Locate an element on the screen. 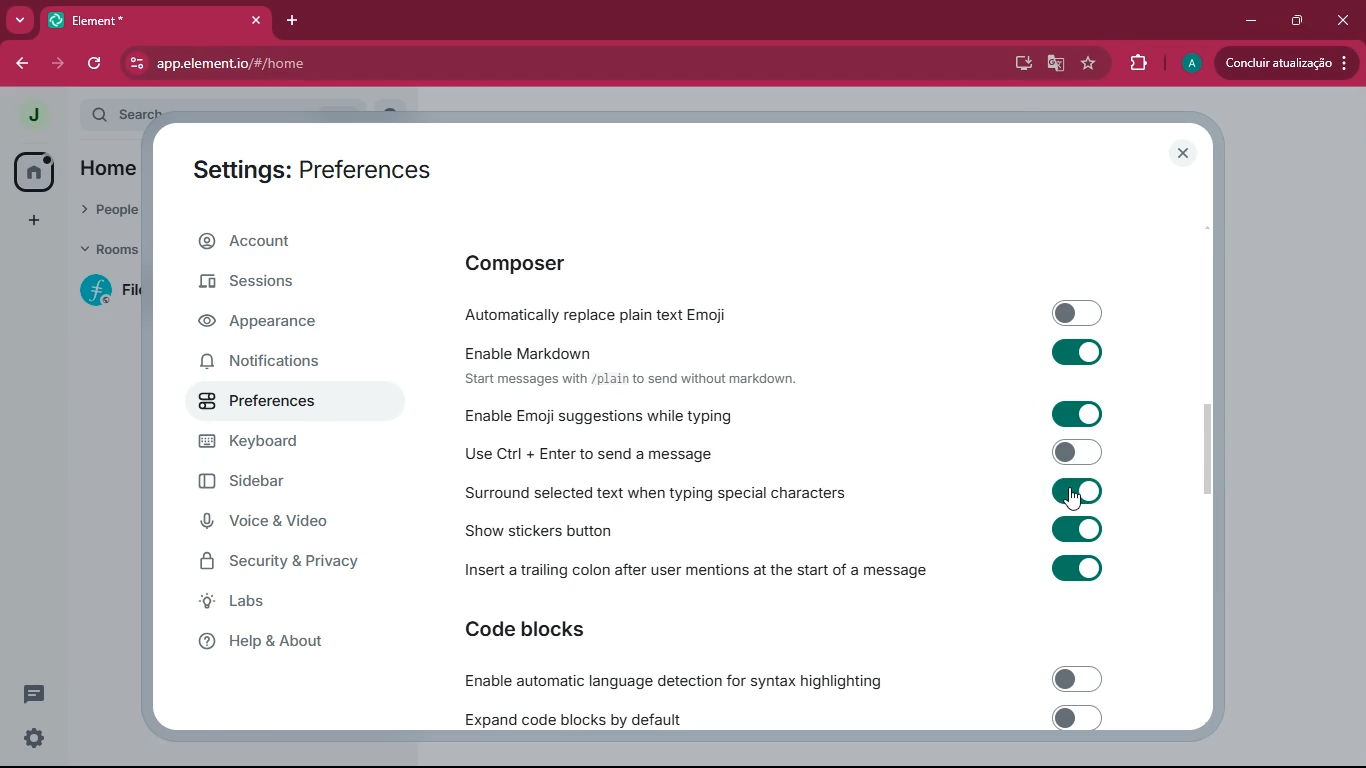 The height and width of the screenshot is (768, 1366). forward is located at coordinates (56, 64).